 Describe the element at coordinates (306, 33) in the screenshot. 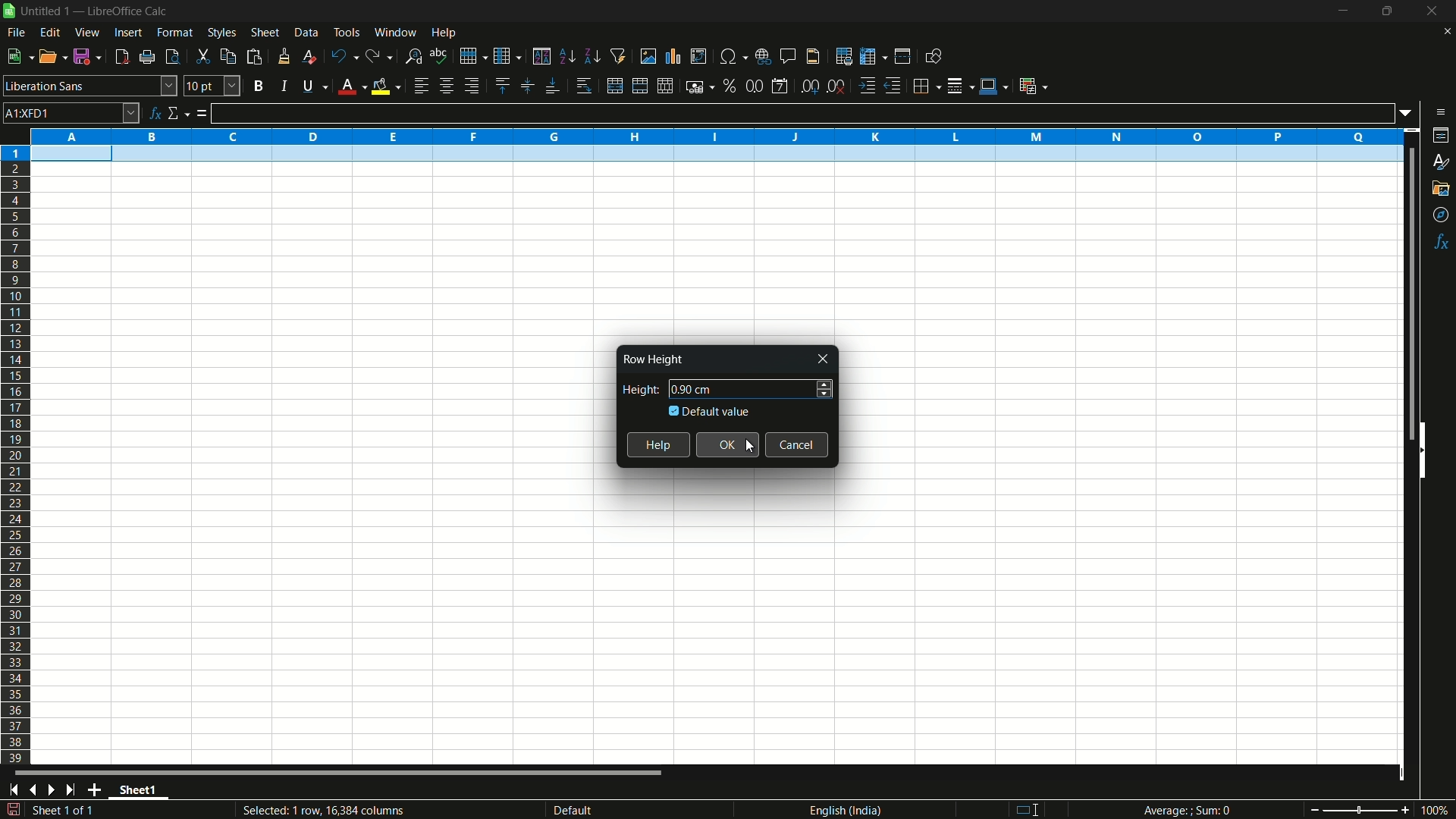

I see `data menu` at that location.